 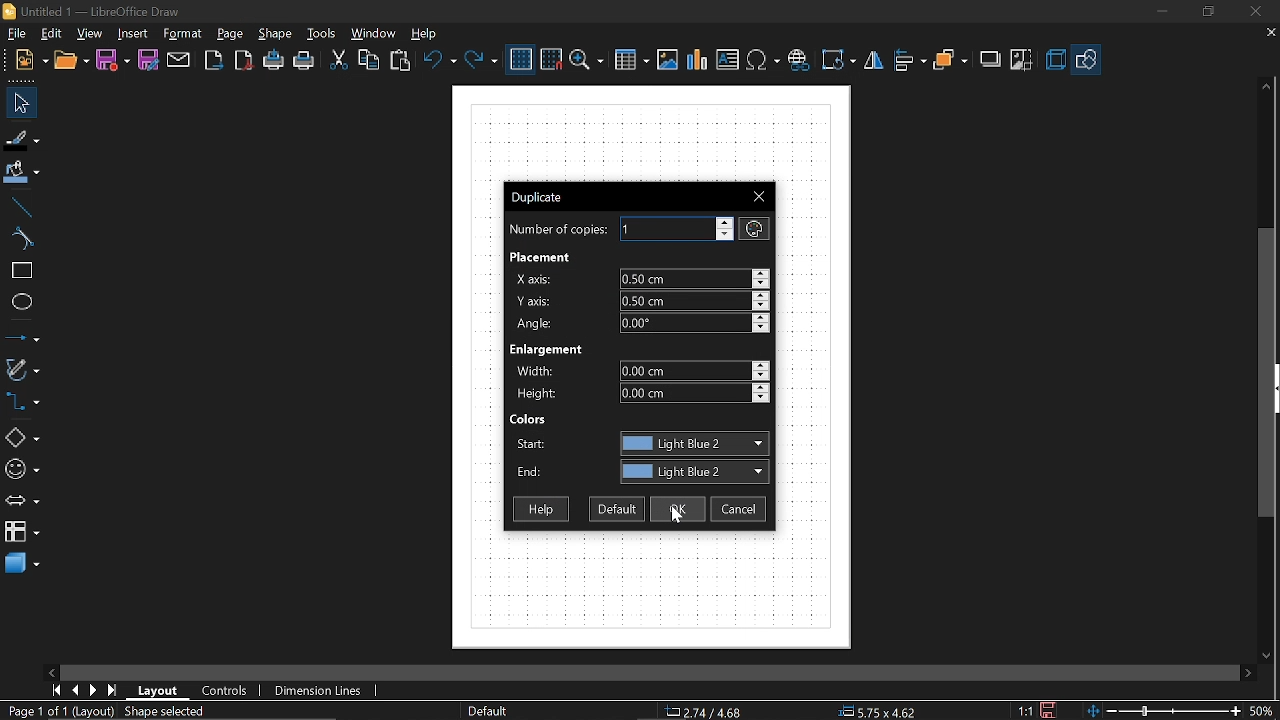 I want to click on Fill color, so click(x=22, y=175).